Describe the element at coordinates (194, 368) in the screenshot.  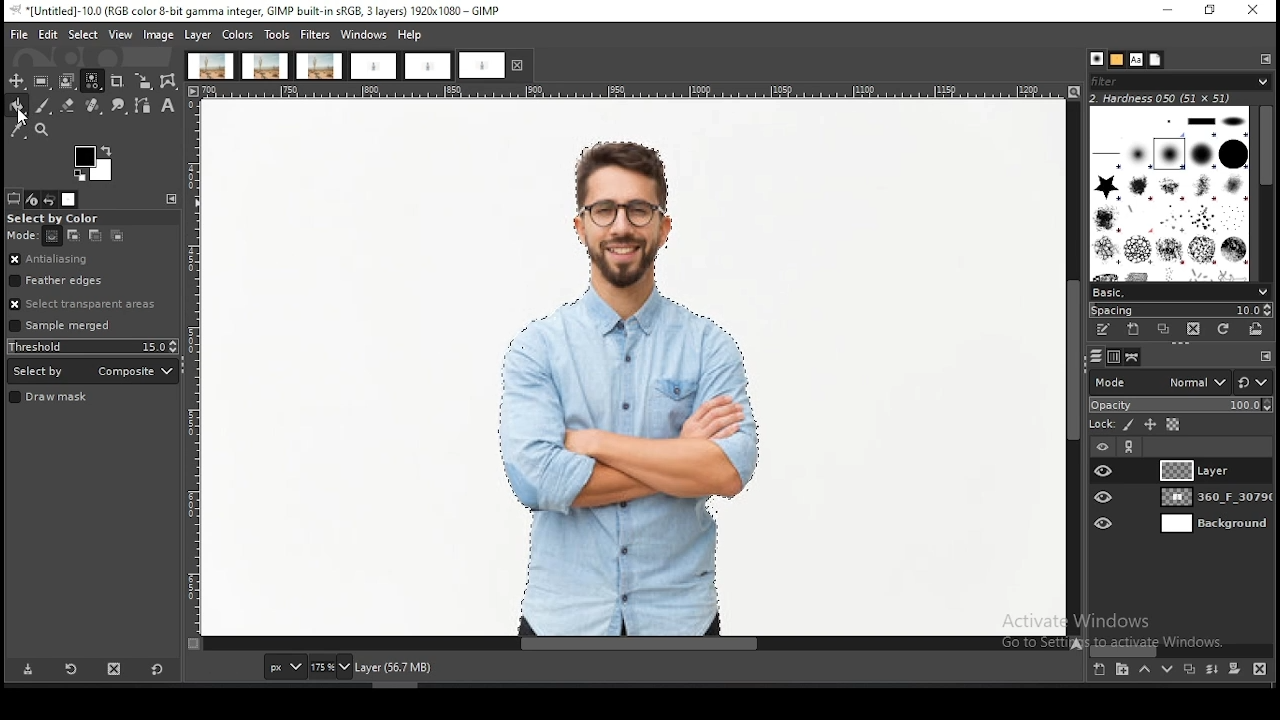
I see `scale` at that location.